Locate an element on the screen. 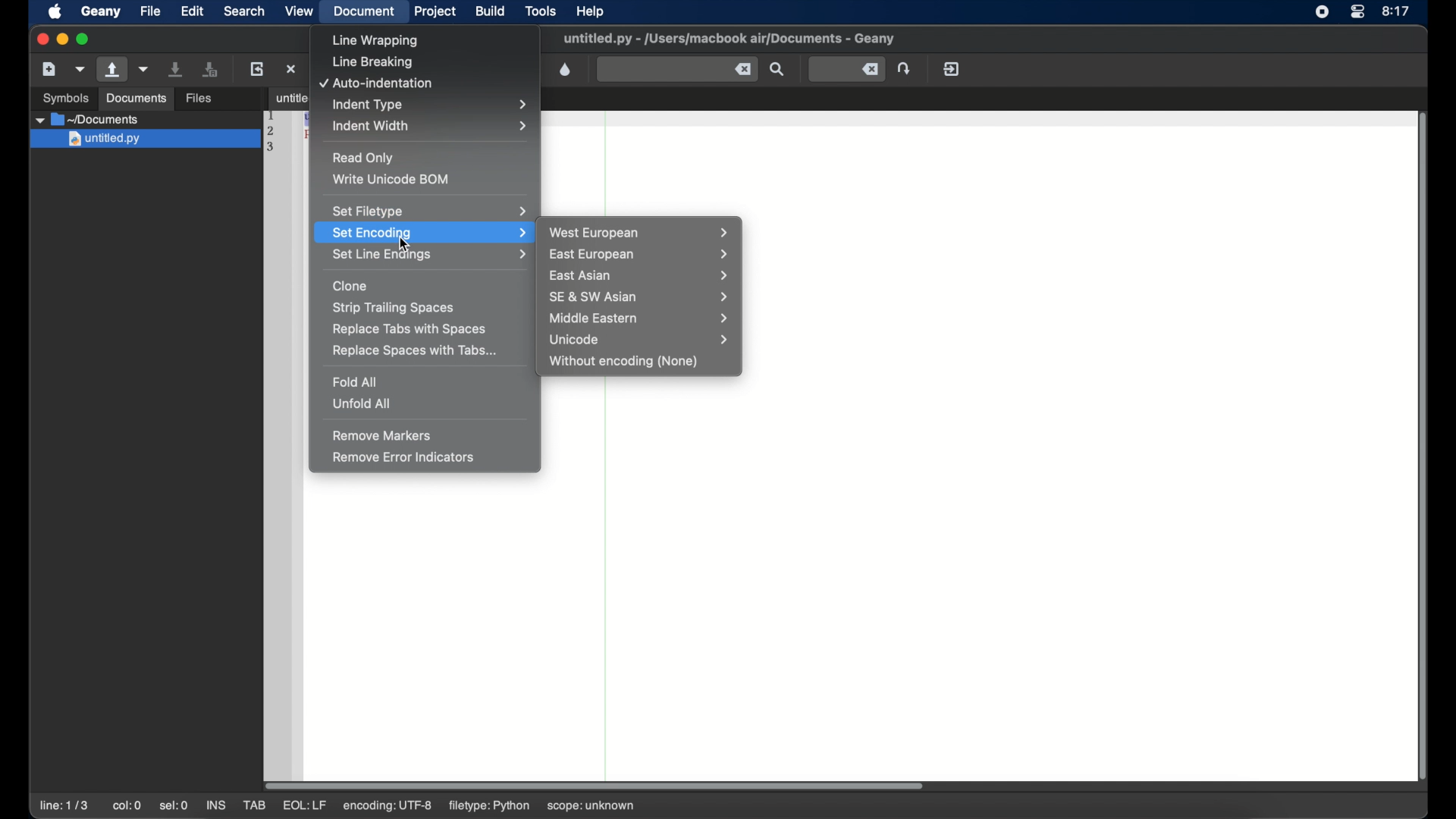 This screenshot has width=1456, height=819. sel:0 is located at coordinates (174, 807).